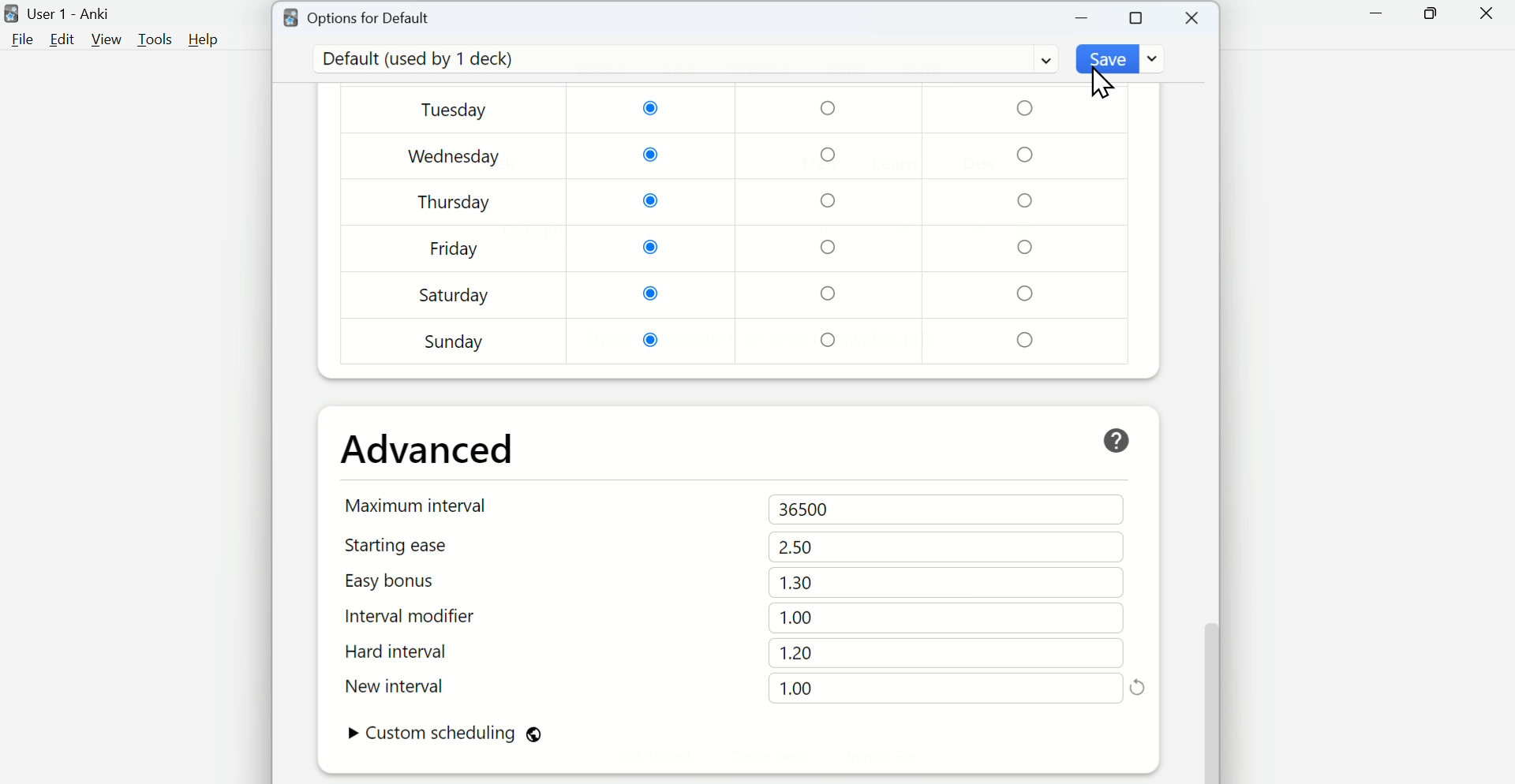  What do you see at coordinates (428, 450) in the screenshot?
I see `Advanced` at bounding box center [428, 450].